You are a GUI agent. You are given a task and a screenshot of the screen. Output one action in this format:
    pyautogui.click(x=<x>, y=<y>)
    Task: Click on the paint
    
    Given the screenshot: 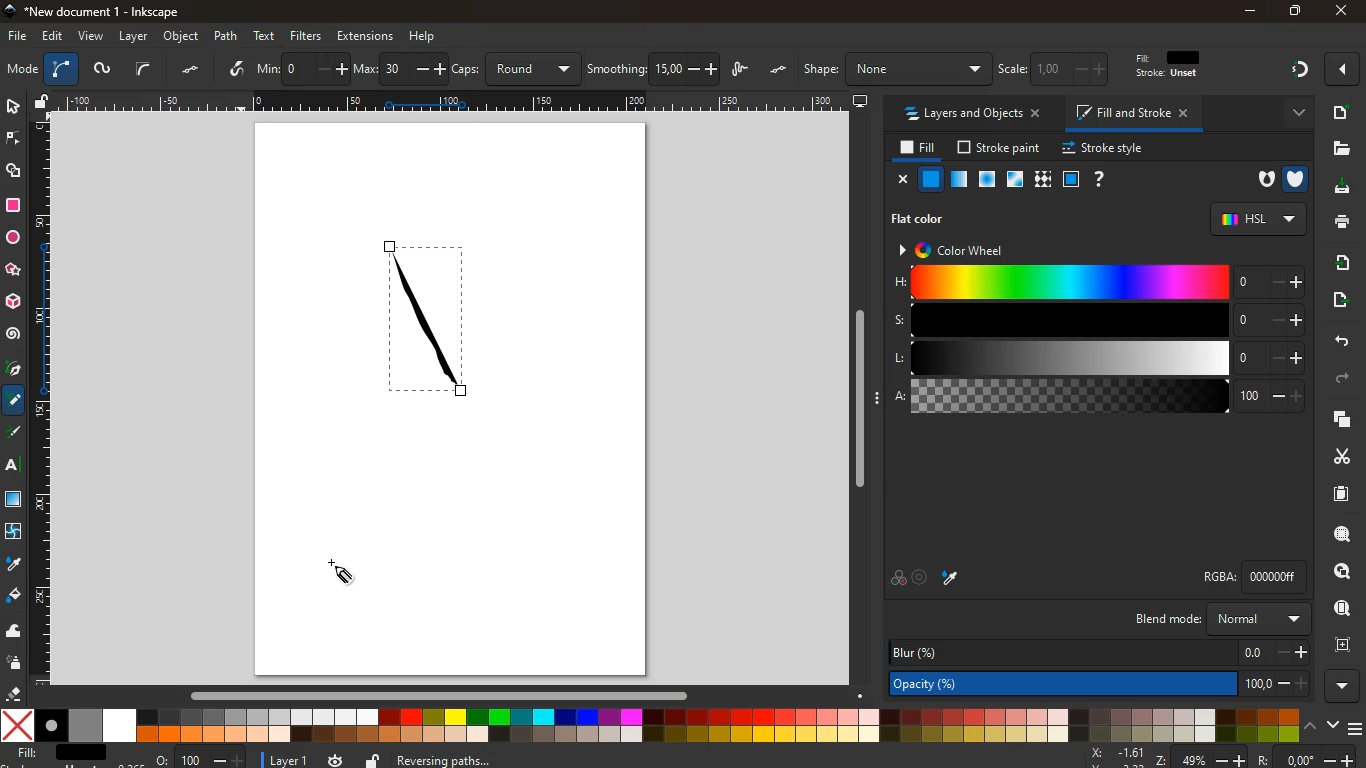 What is the action you would take?
    pyautogui.click(x=15, y=596)
    